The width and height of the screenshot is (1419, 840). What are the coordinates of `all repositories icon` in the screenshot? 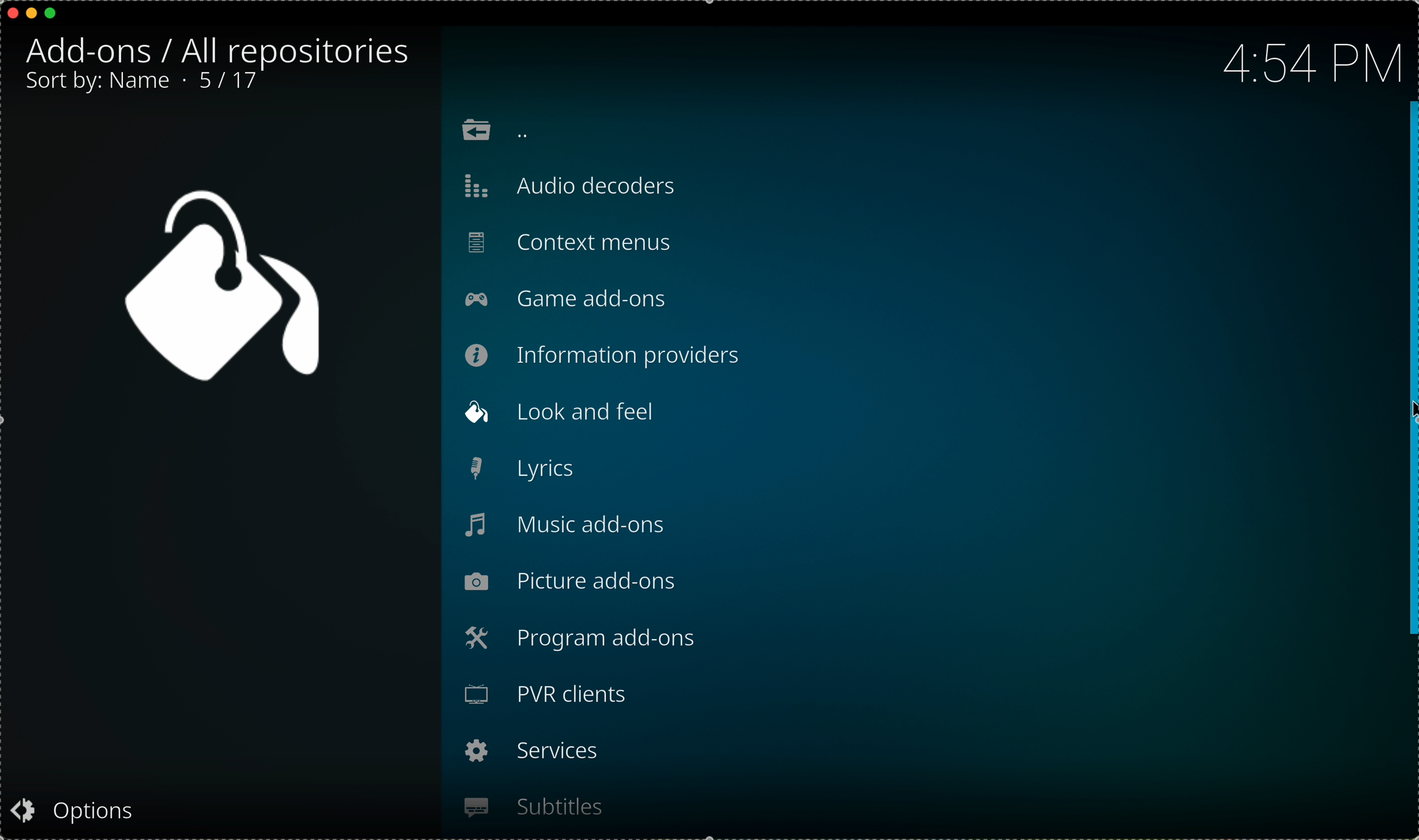 It's located at (215, 286).